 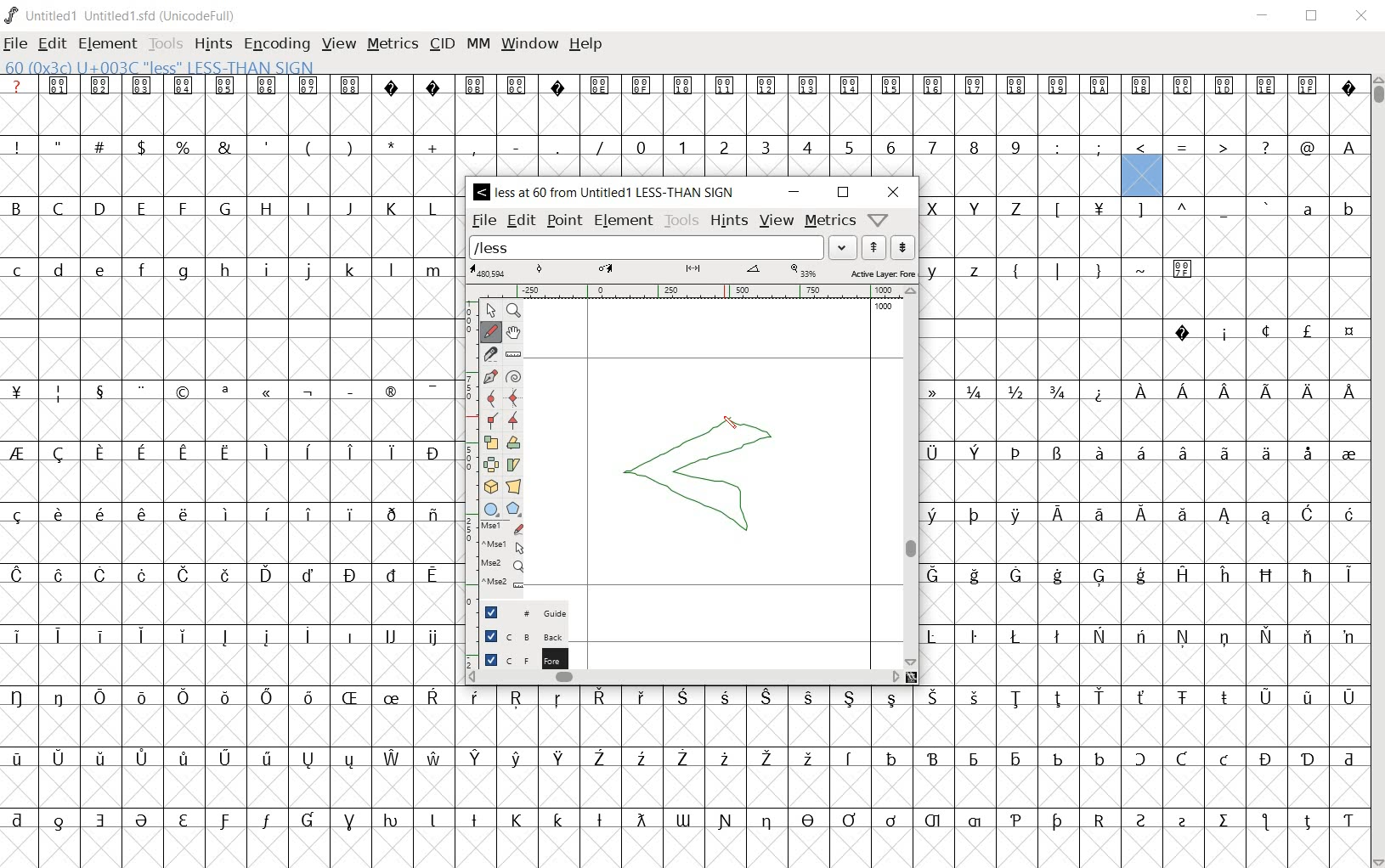 What do you see at coordinates (490, 441) in the screenshot?
I see `scale the selection` at bounding box center [490, 441].